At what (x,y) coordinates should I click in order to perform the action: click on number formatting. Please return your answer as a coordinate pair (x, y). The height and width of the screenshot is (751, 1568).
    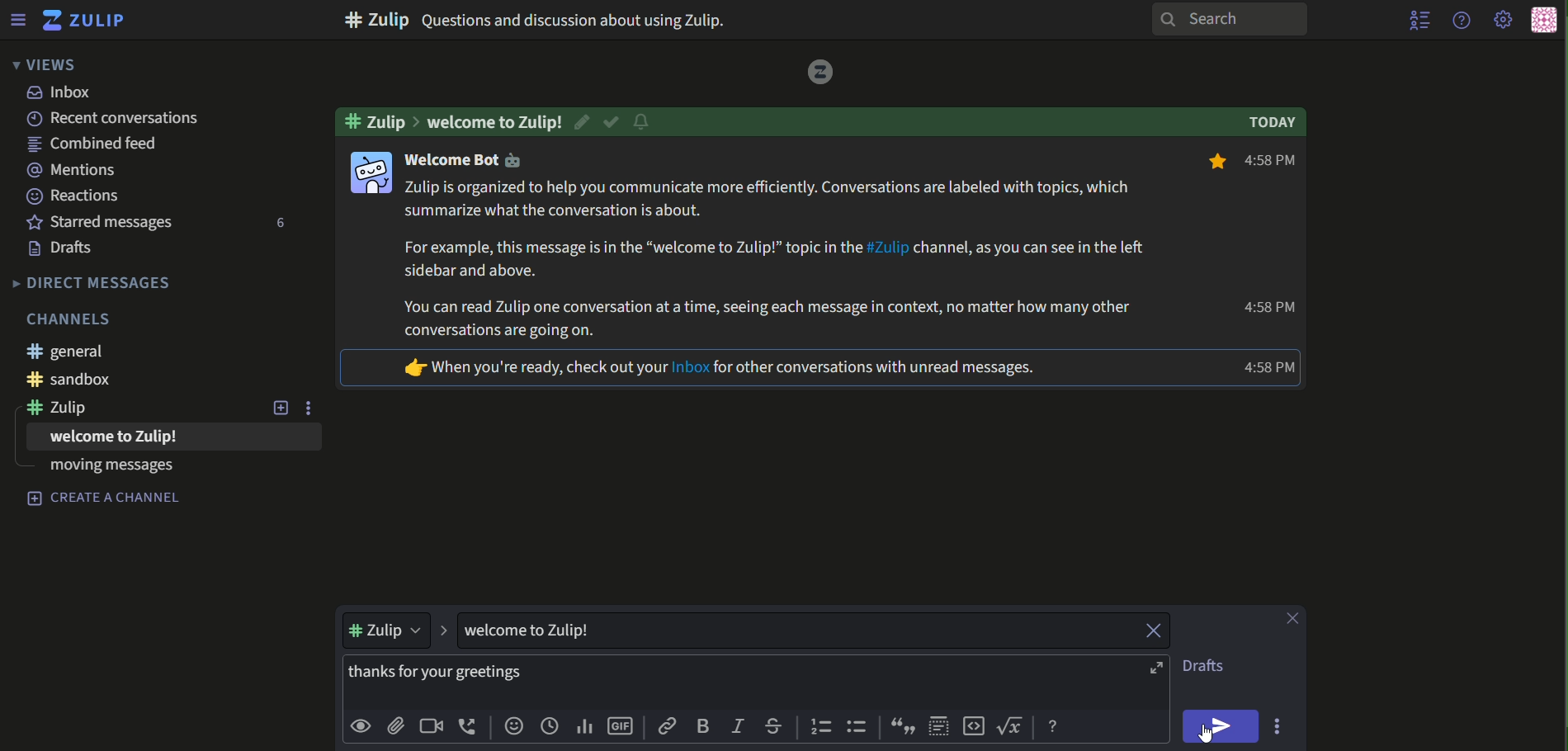
    Looking at the image, I should click on (819, 728).